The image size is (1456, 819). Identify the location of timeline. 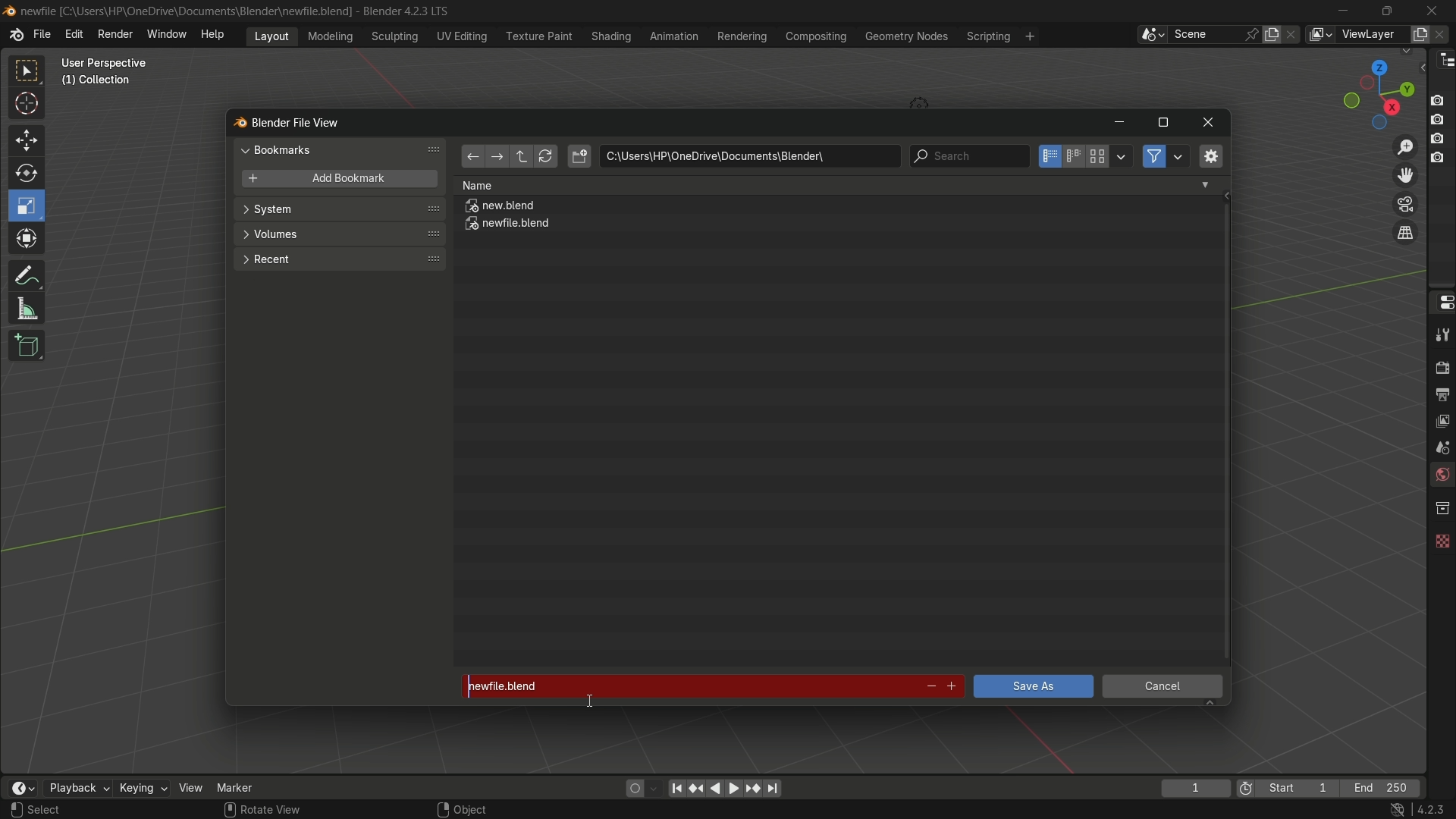
(22, 788).